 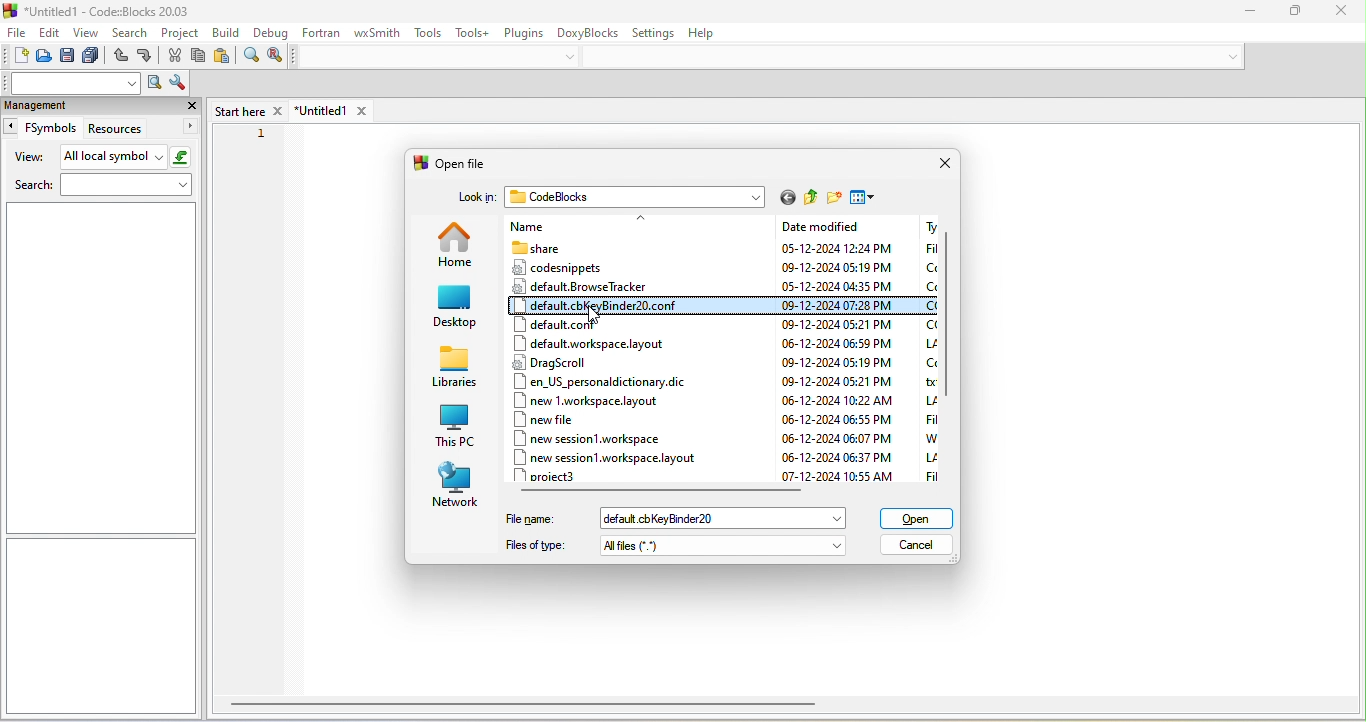 I want to click on start here, so click(x=245, y=107).